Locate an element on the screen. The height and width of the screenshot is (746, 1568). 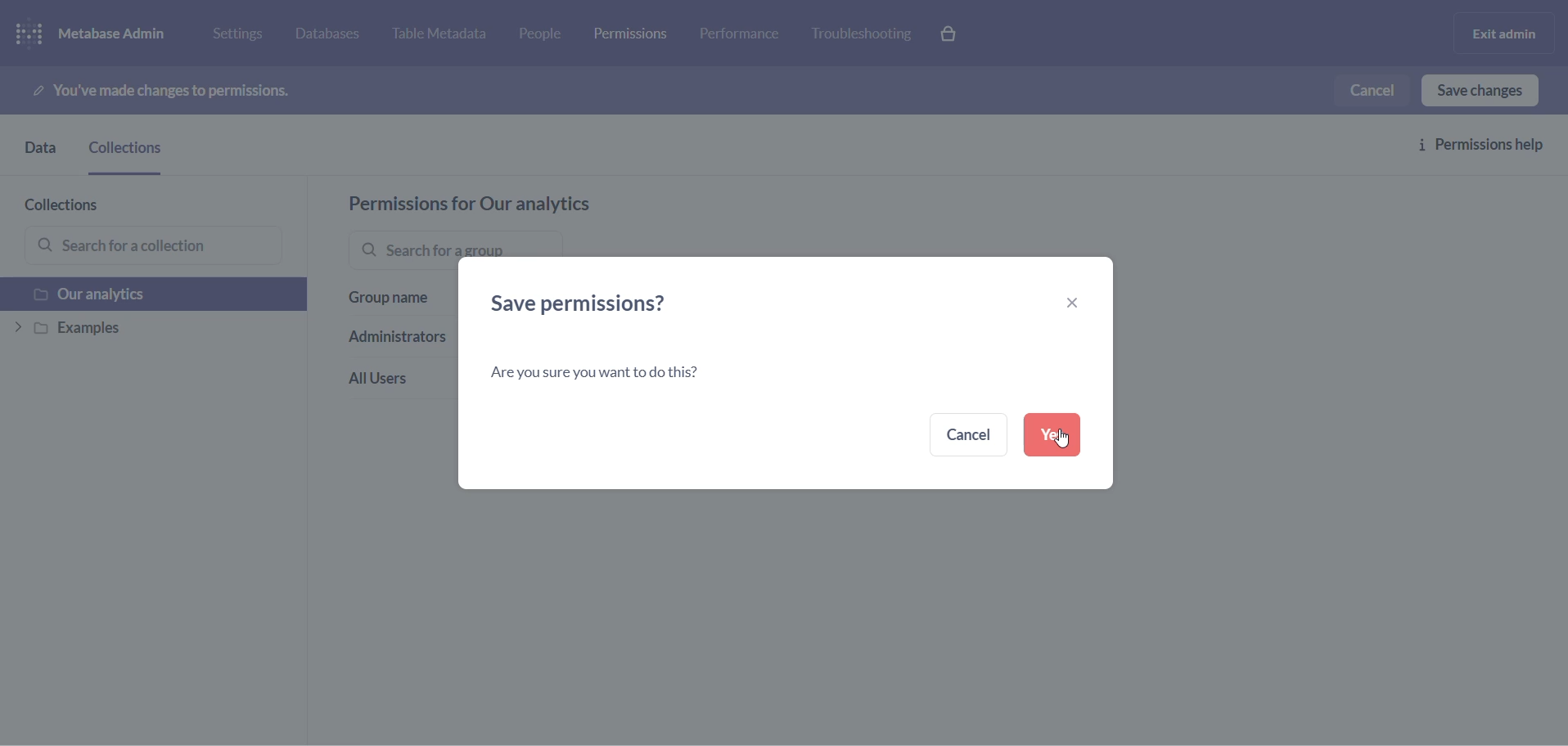
performance is located at coordinates (742, 38).